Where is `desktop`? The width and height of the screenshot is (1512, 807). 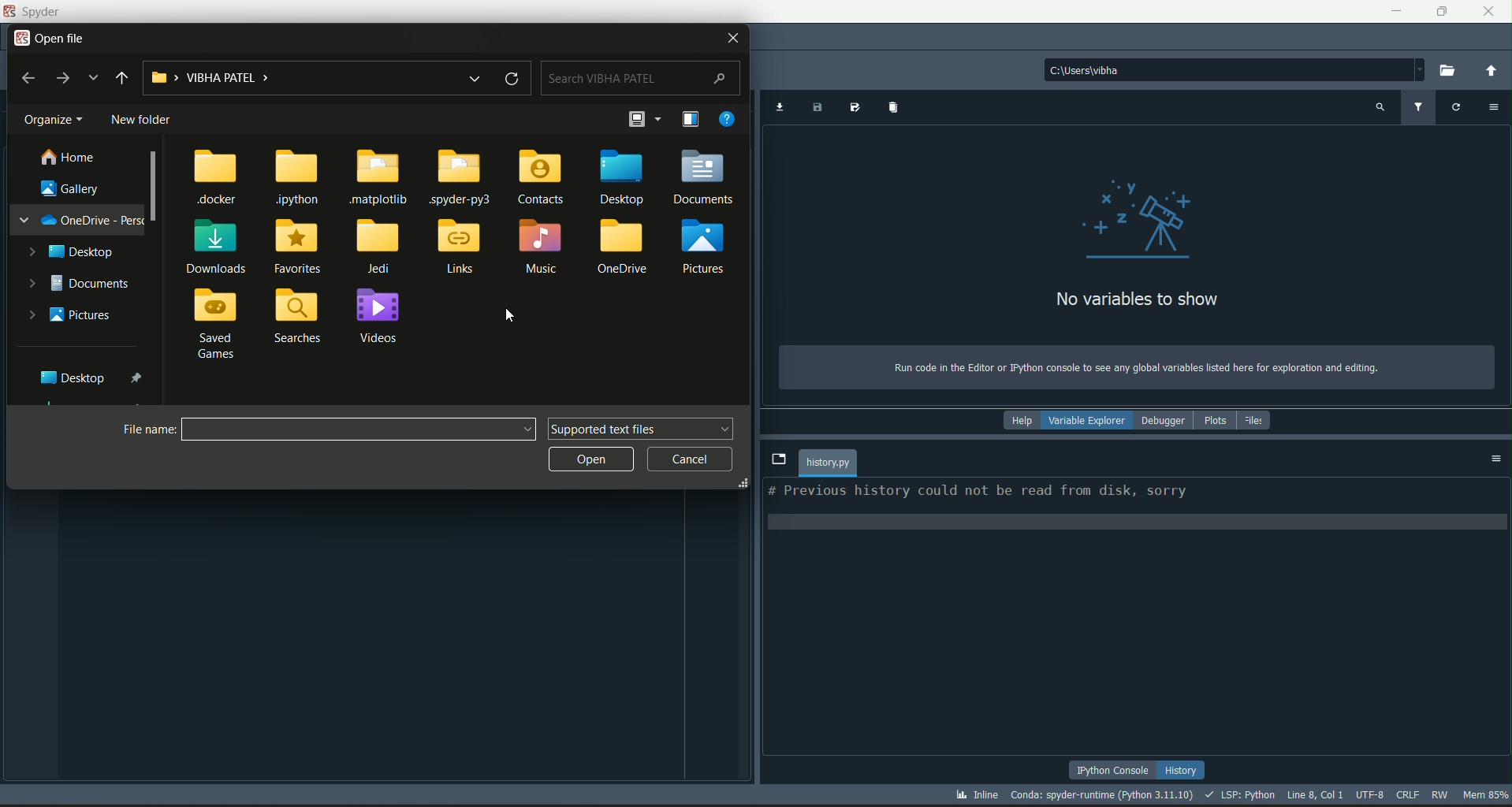 desktop is located at coordinates (73, 250).